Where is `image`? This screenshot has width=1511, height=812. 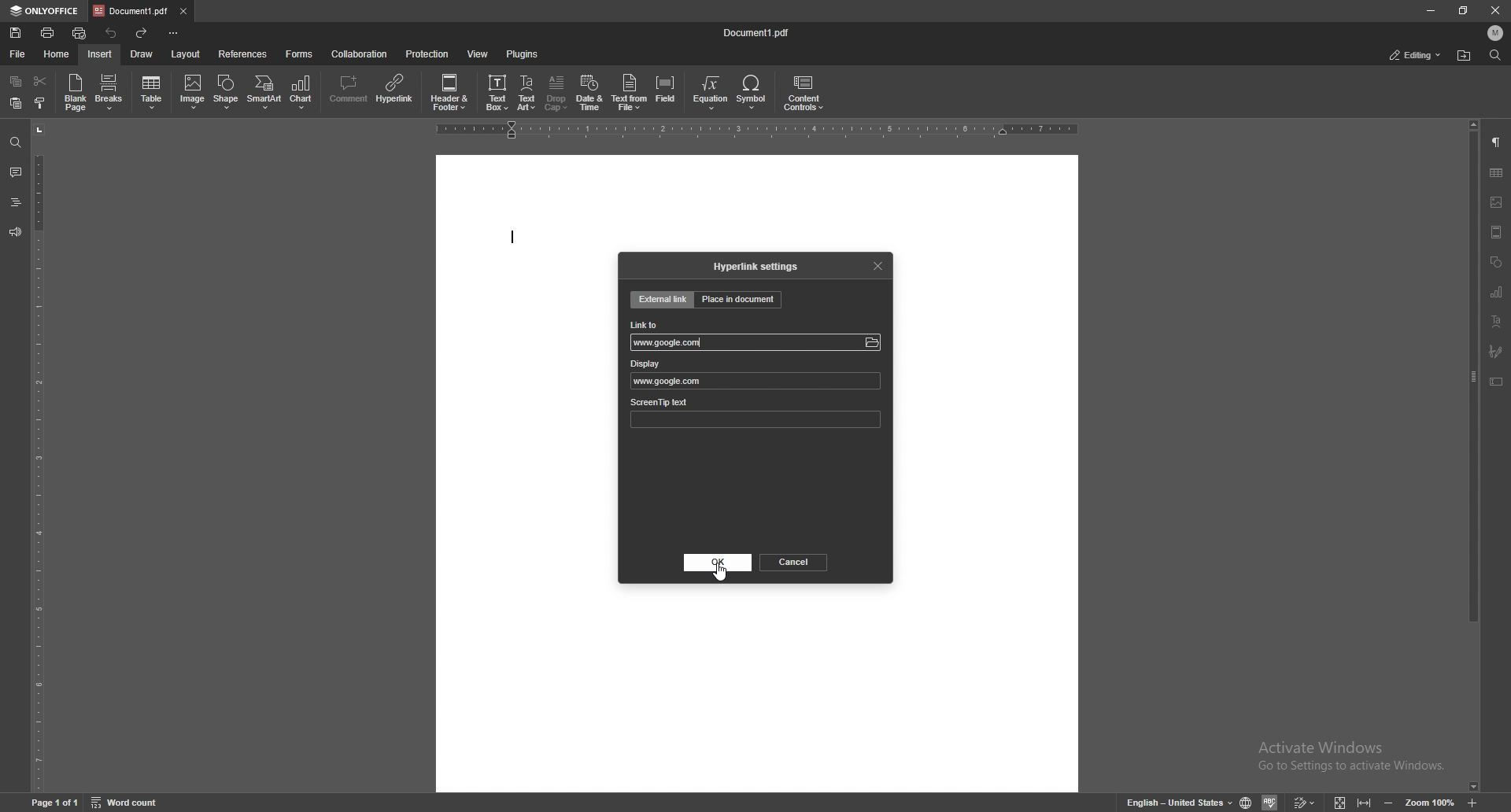 image is located at coordinates (191, 93).